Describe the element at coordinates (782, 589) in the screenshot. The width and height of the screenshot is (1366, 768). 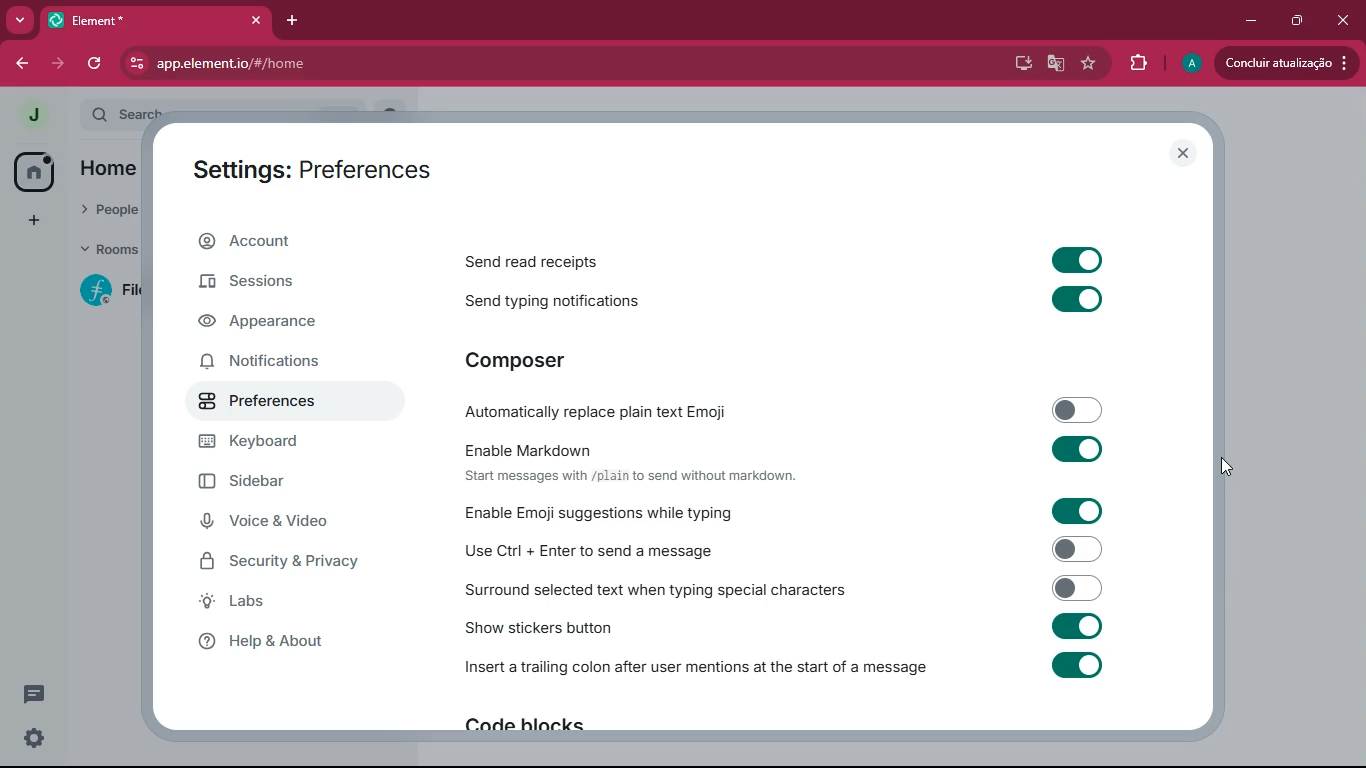
I see `Surround selected text when typing special characters` at that location.